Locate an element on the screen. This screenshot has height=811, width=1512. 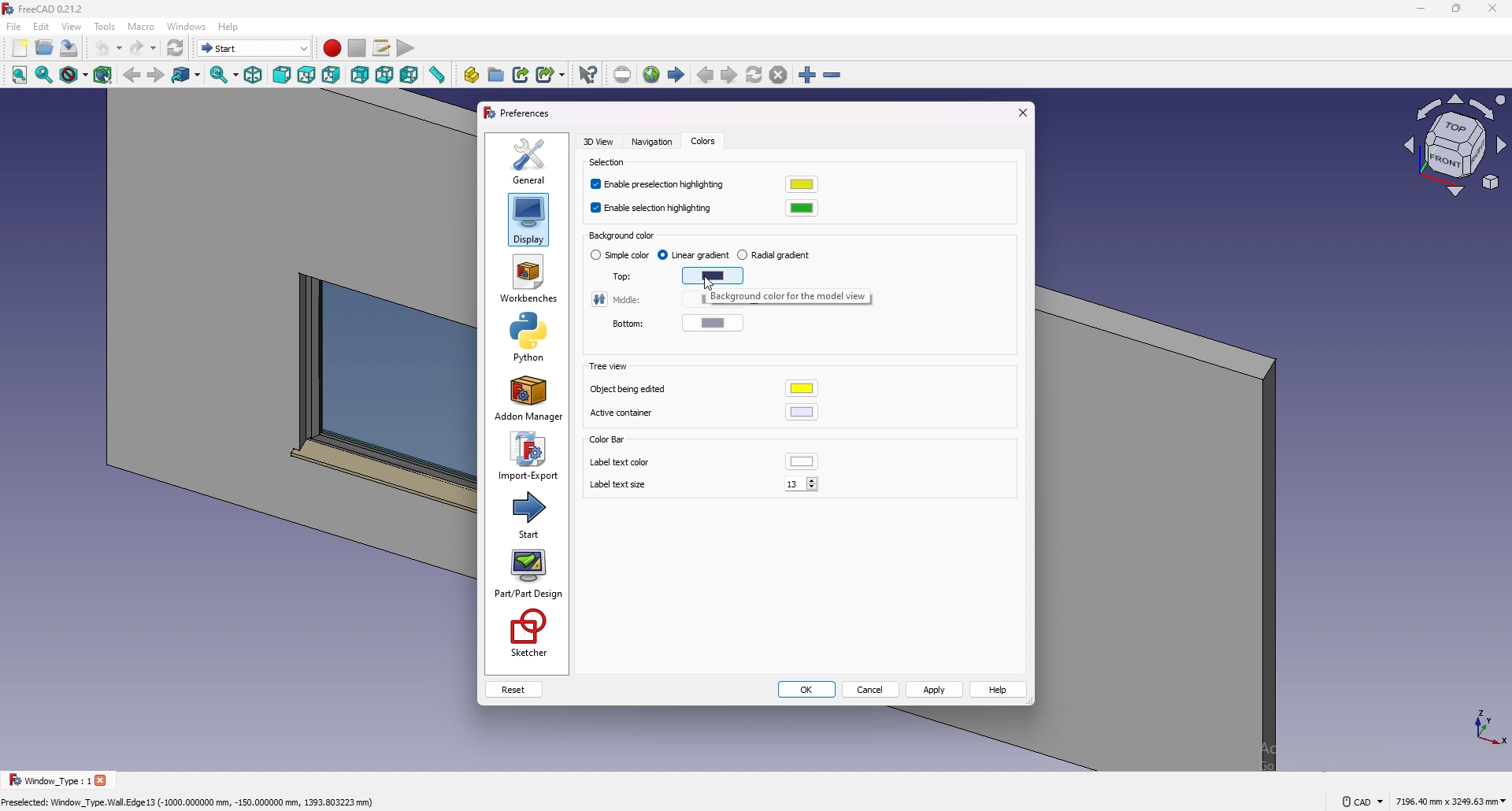
rear is located at coordinates (360, 76).